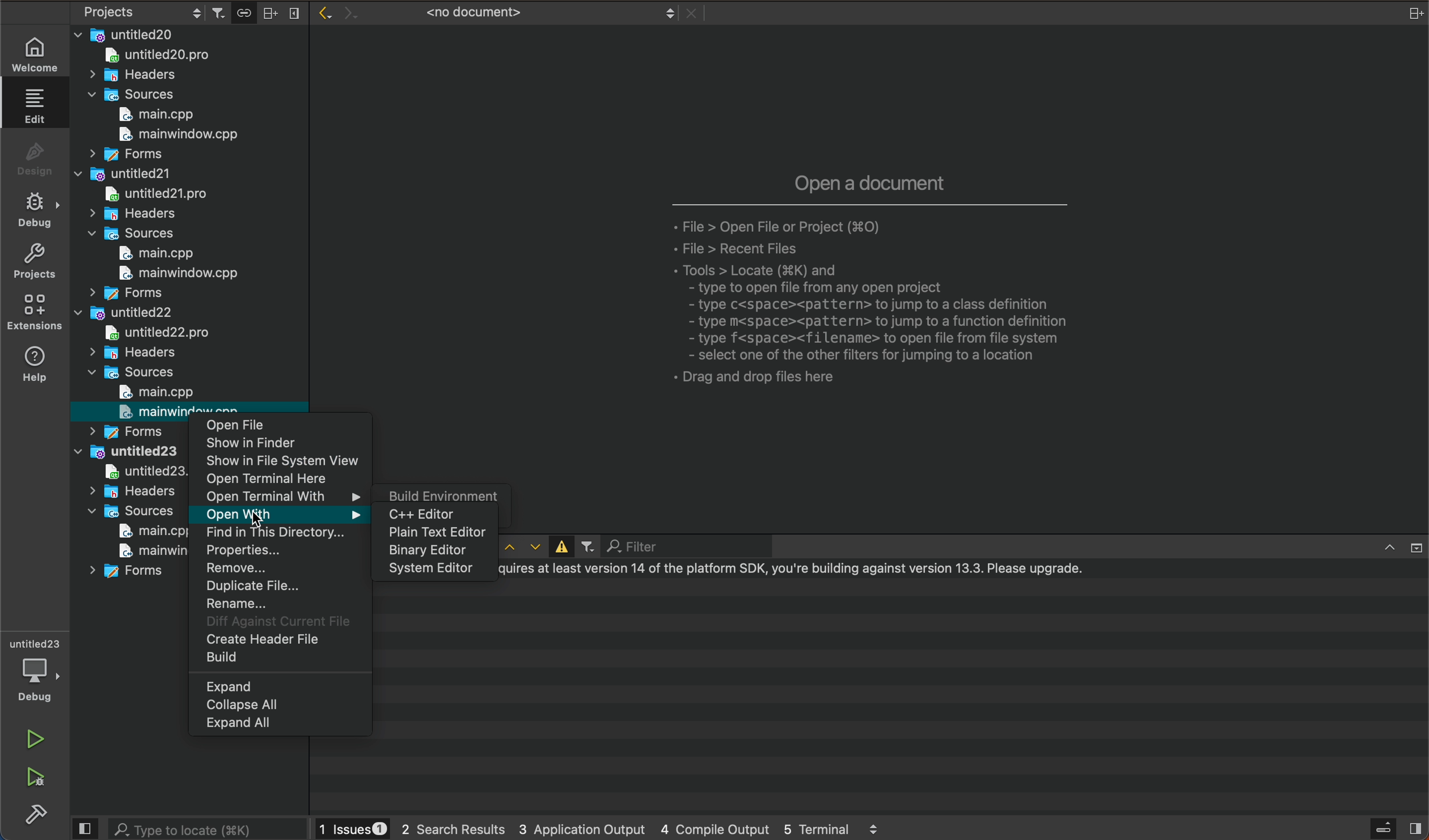 The width and height of the screenshot is (1429, 840). Describe the element at coordinates (135, 472) in the screenshot. I see `untitled23 pro` at that location.